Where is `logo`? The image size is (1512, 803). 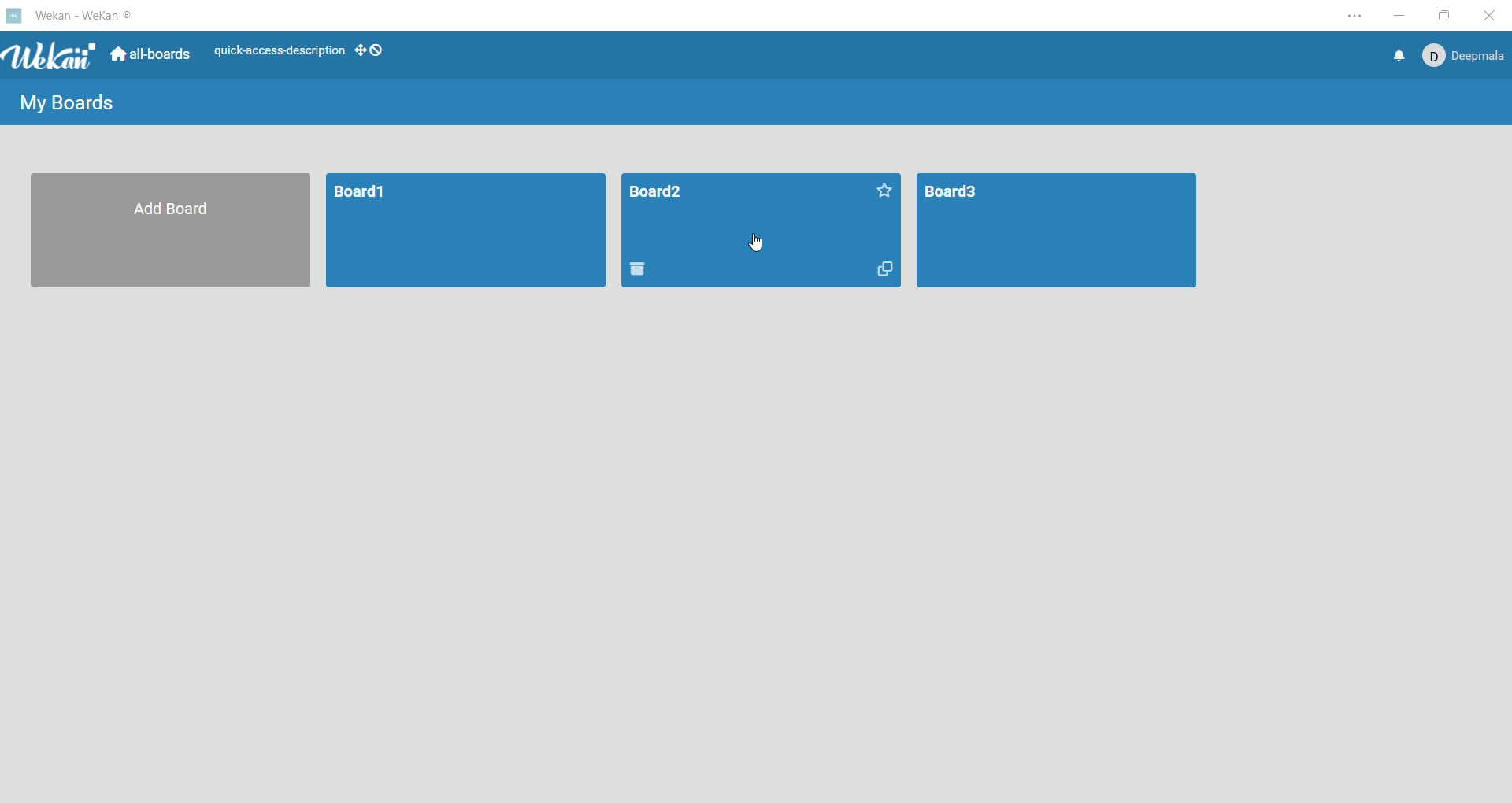
logo is located at coordinates (15, 18).